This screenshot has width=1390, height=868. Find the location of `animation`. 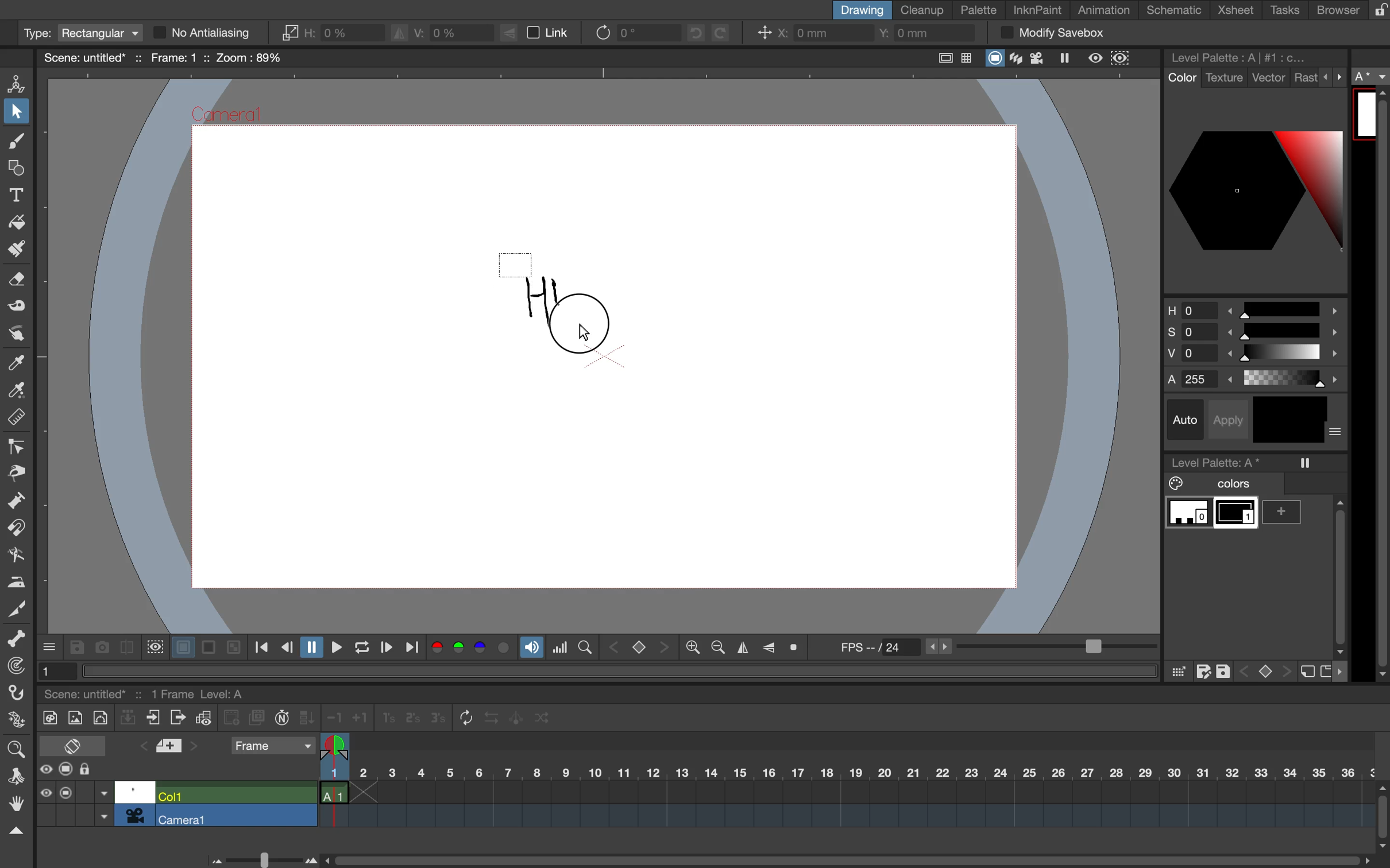

animation is located at coordinates (1109, 11).